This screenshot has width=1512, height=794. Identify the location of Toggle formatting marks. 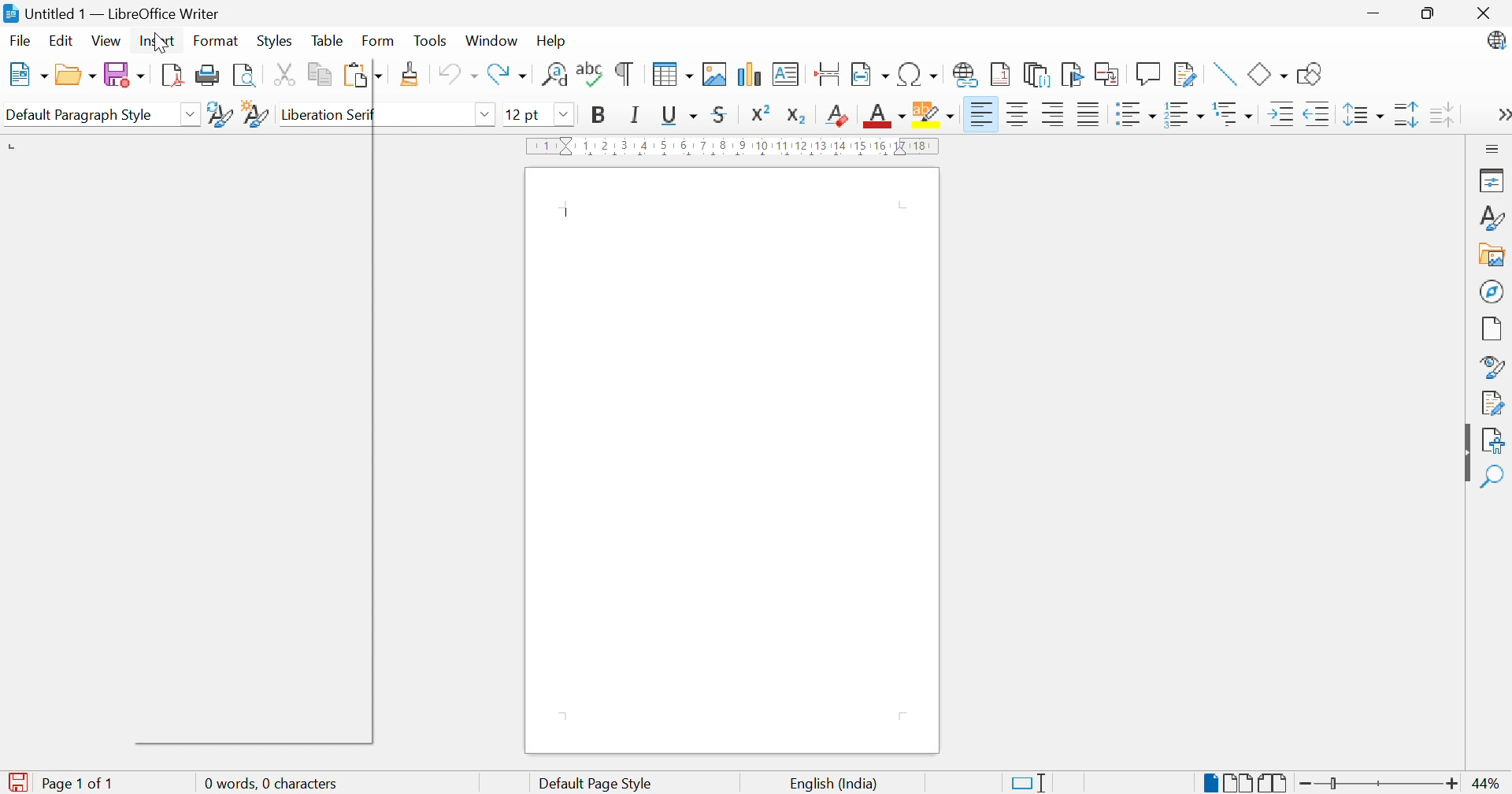
(624, 74).